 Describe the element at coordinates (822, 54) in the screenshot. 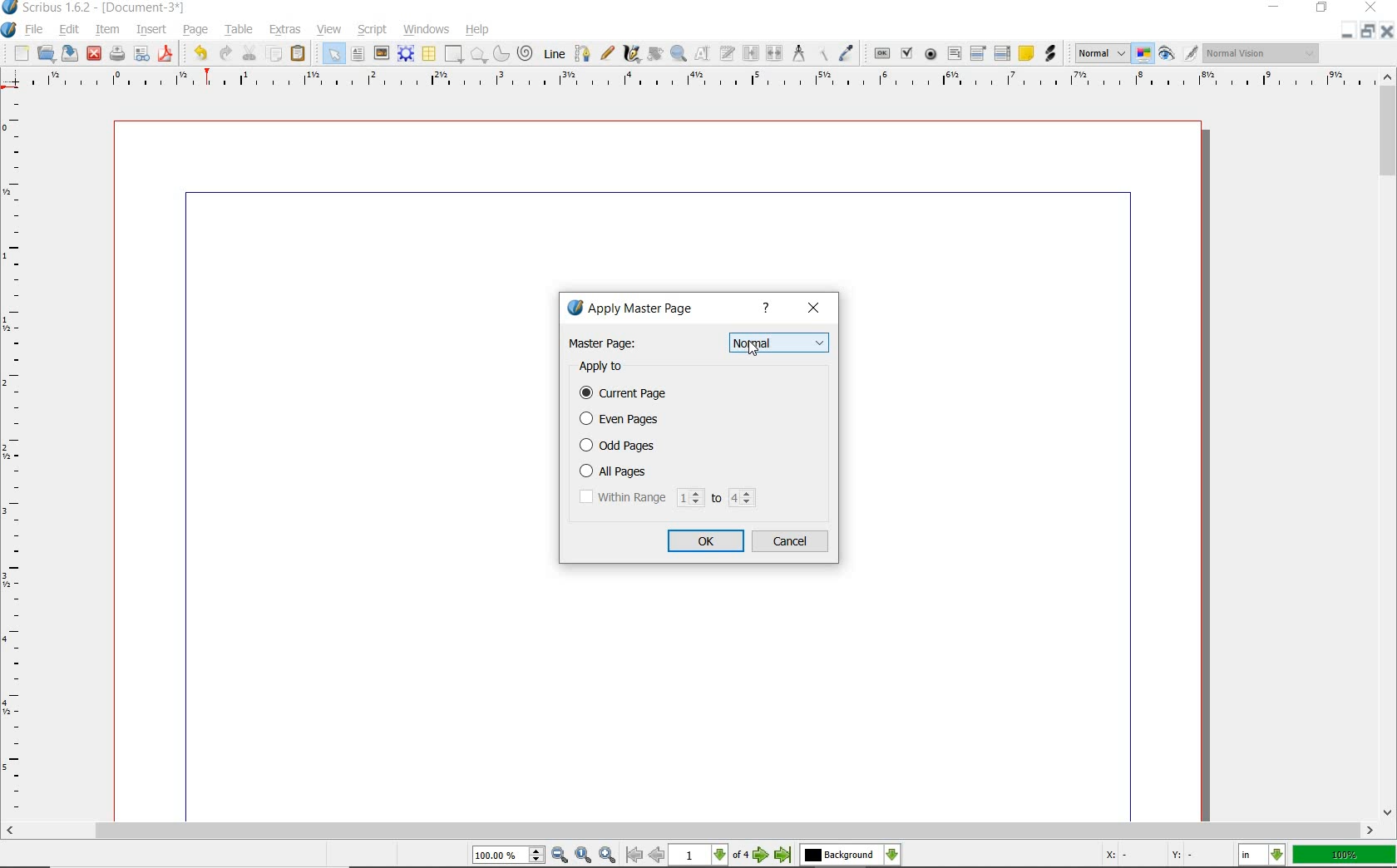

I see `copy item properties` at that location.